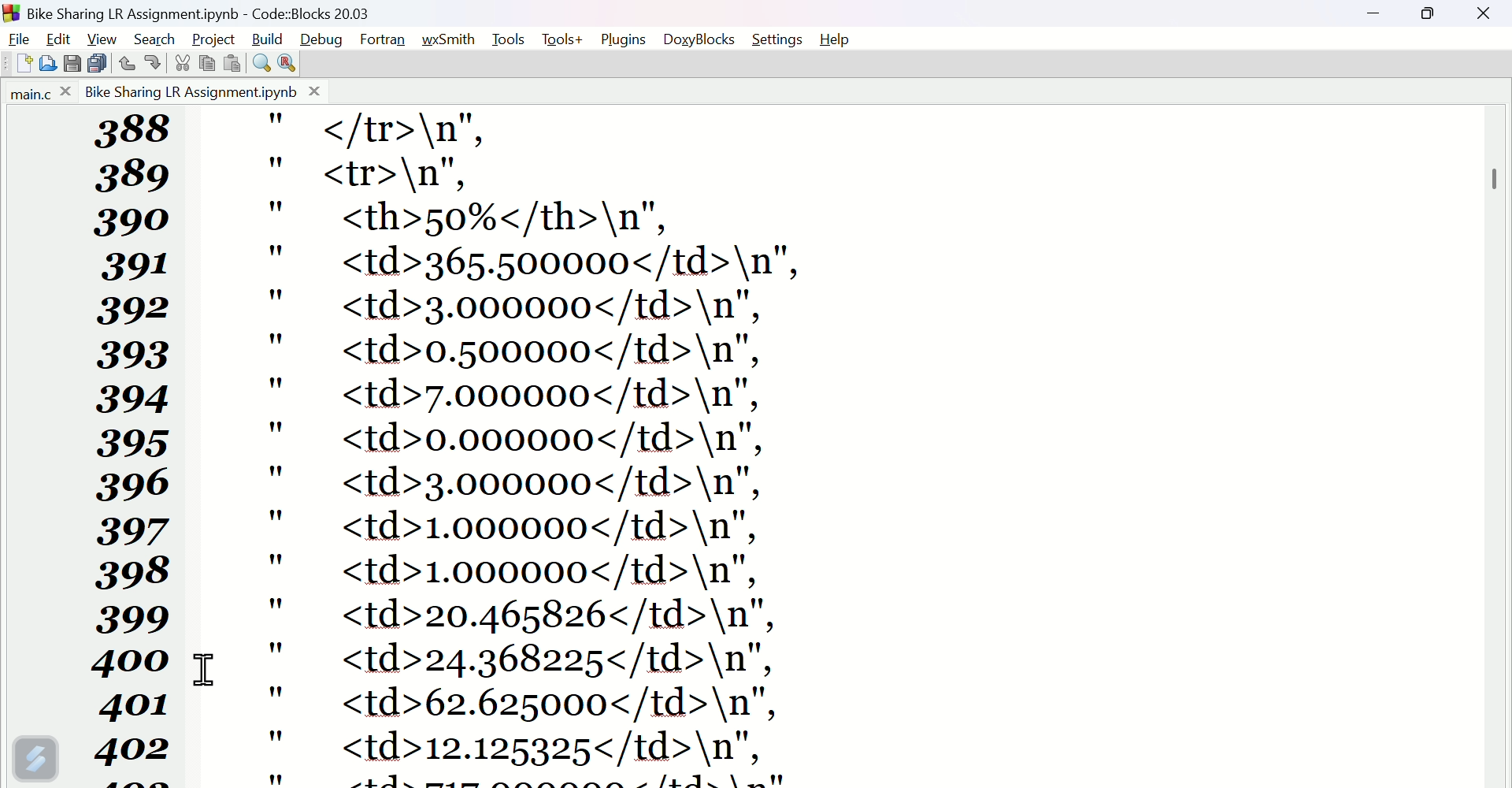  Describe the element at coordinates (128, 63) in the screenshot. I see `Undo` at that location.